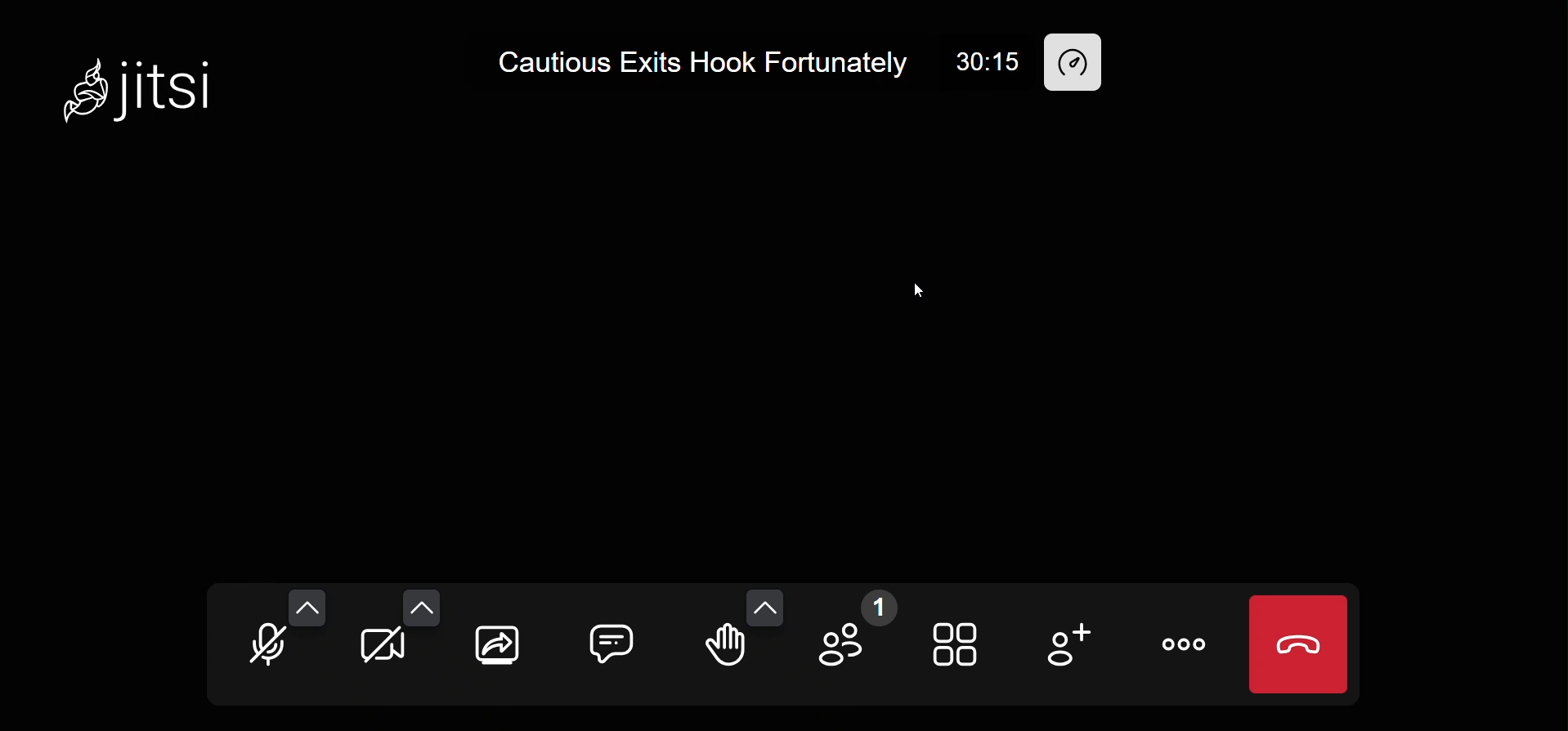  I want to click on participant, so click(855, 632).